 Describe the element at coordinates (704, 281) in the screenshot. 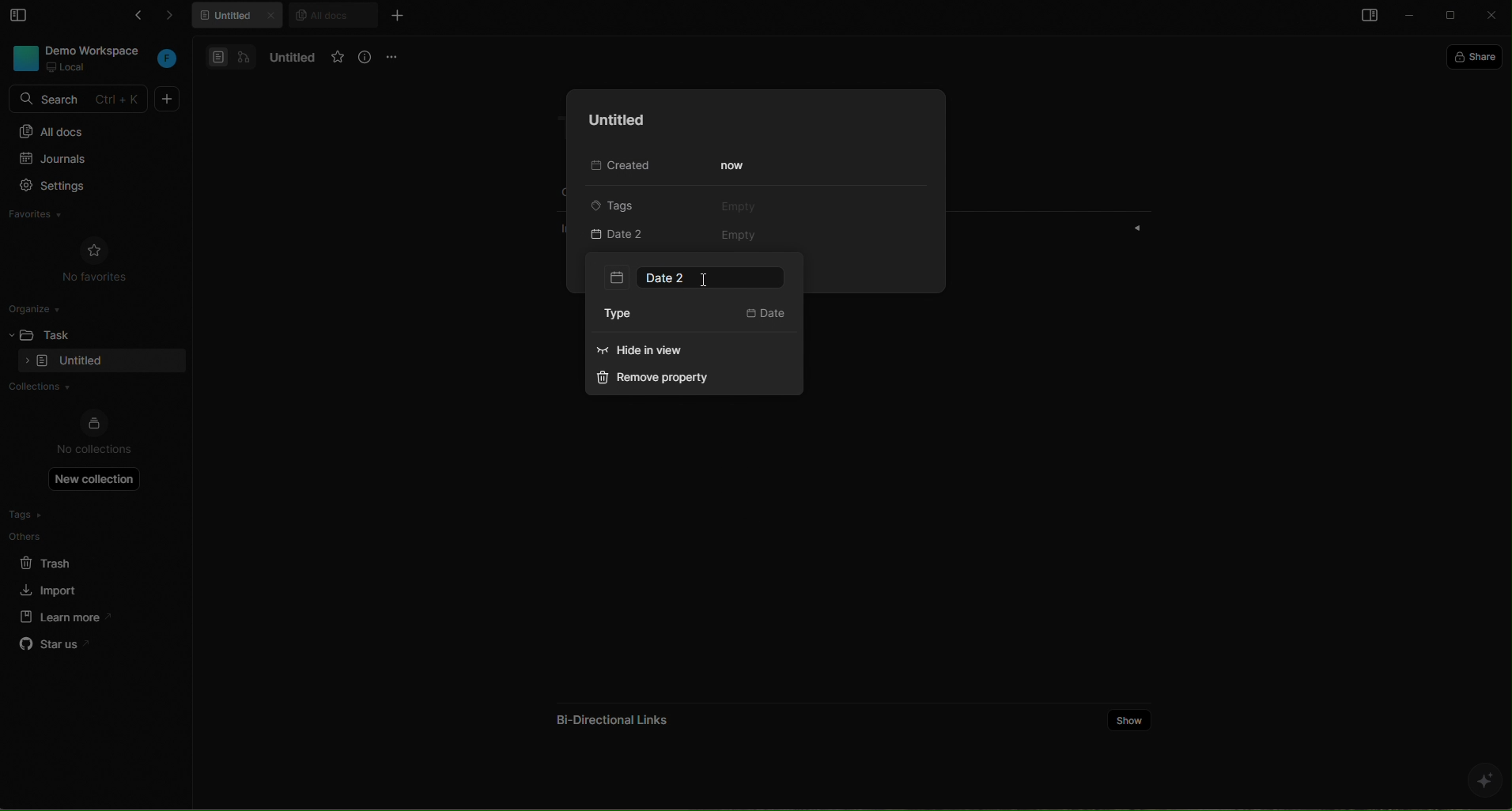

I see `cursor` at that location.